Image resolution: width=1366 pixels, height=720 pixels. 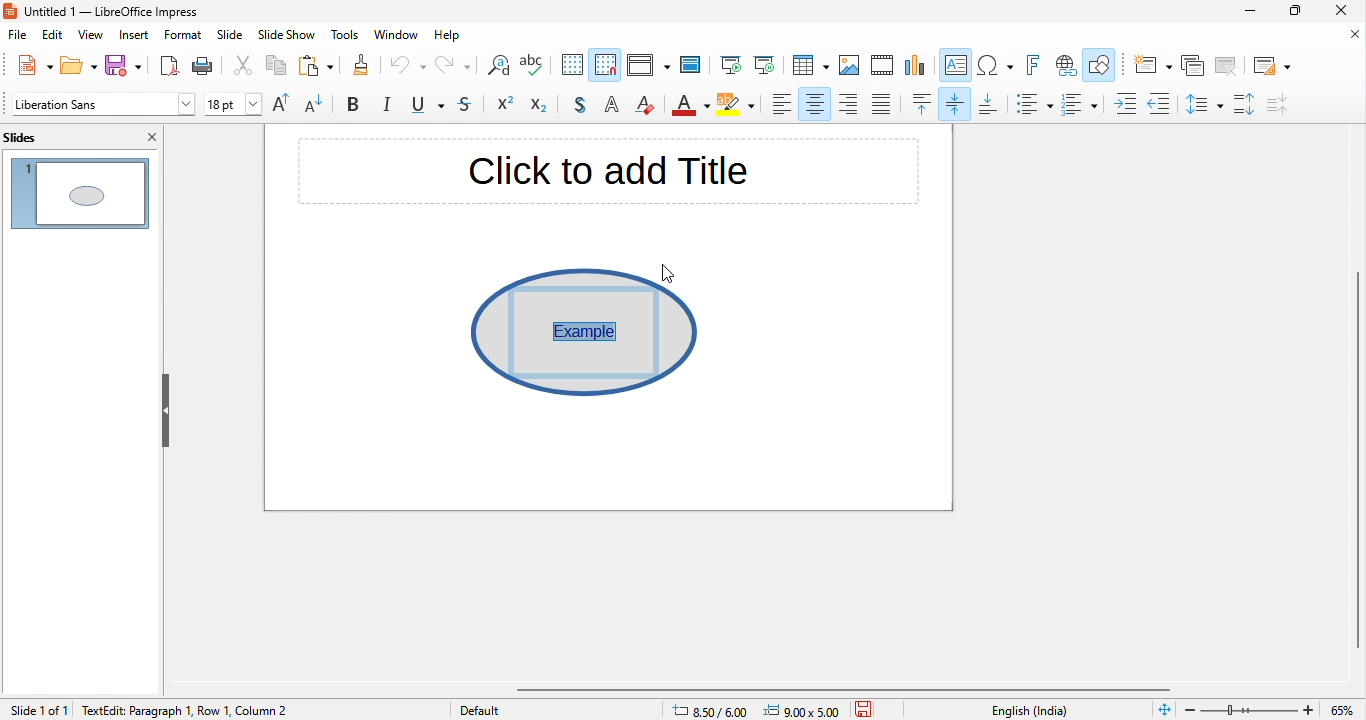 What do you see at coordinates (90, 36) in the screenshot?
I see `view` at bounding box center [90, 36].